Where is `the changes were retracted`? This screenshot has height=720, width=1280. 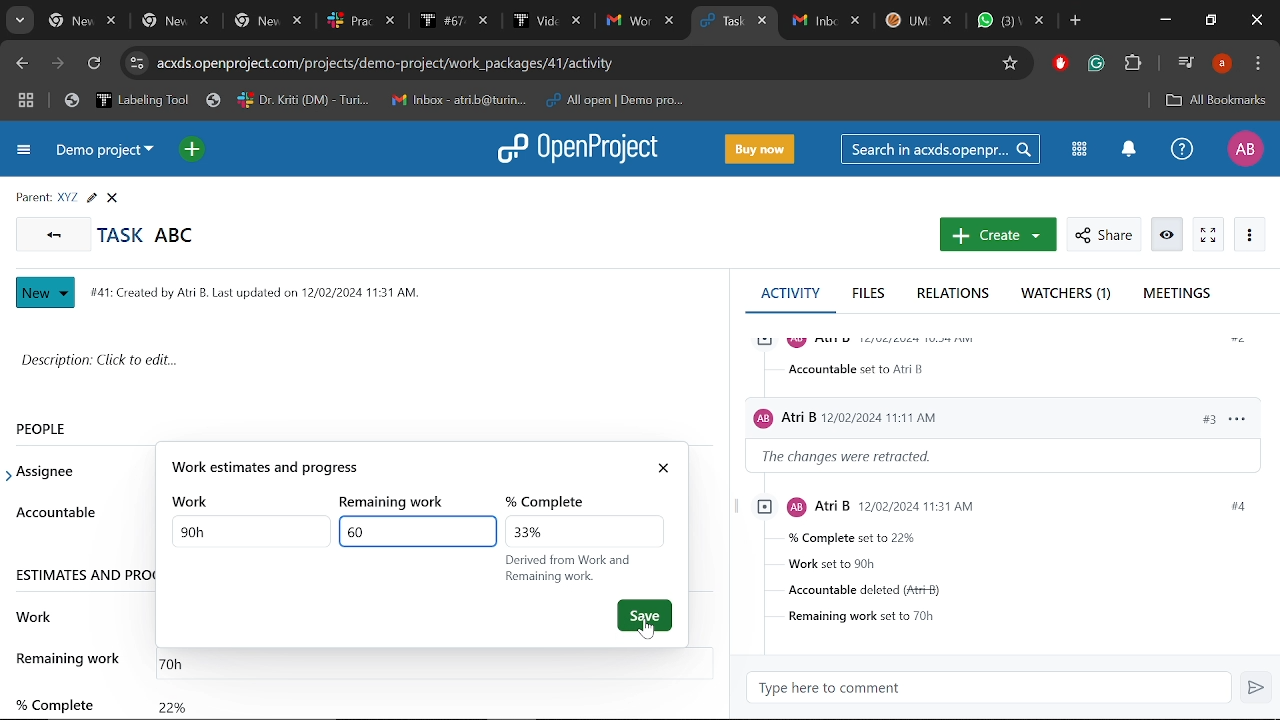 the changes were retracted is located at coordinates (860, 457).